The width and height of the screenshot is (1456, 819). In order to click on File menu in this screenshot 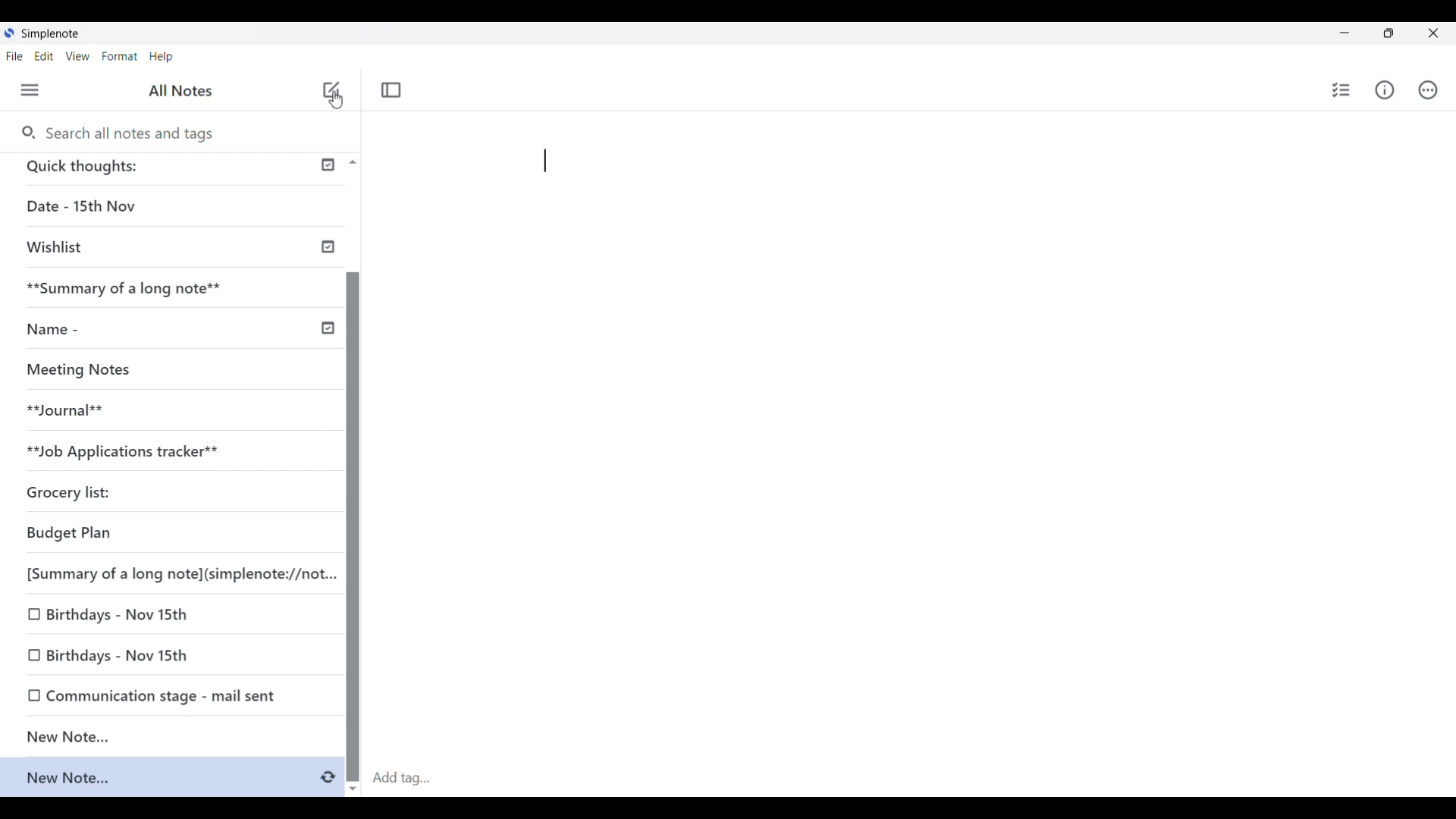, I will do `click(14, 56)`.